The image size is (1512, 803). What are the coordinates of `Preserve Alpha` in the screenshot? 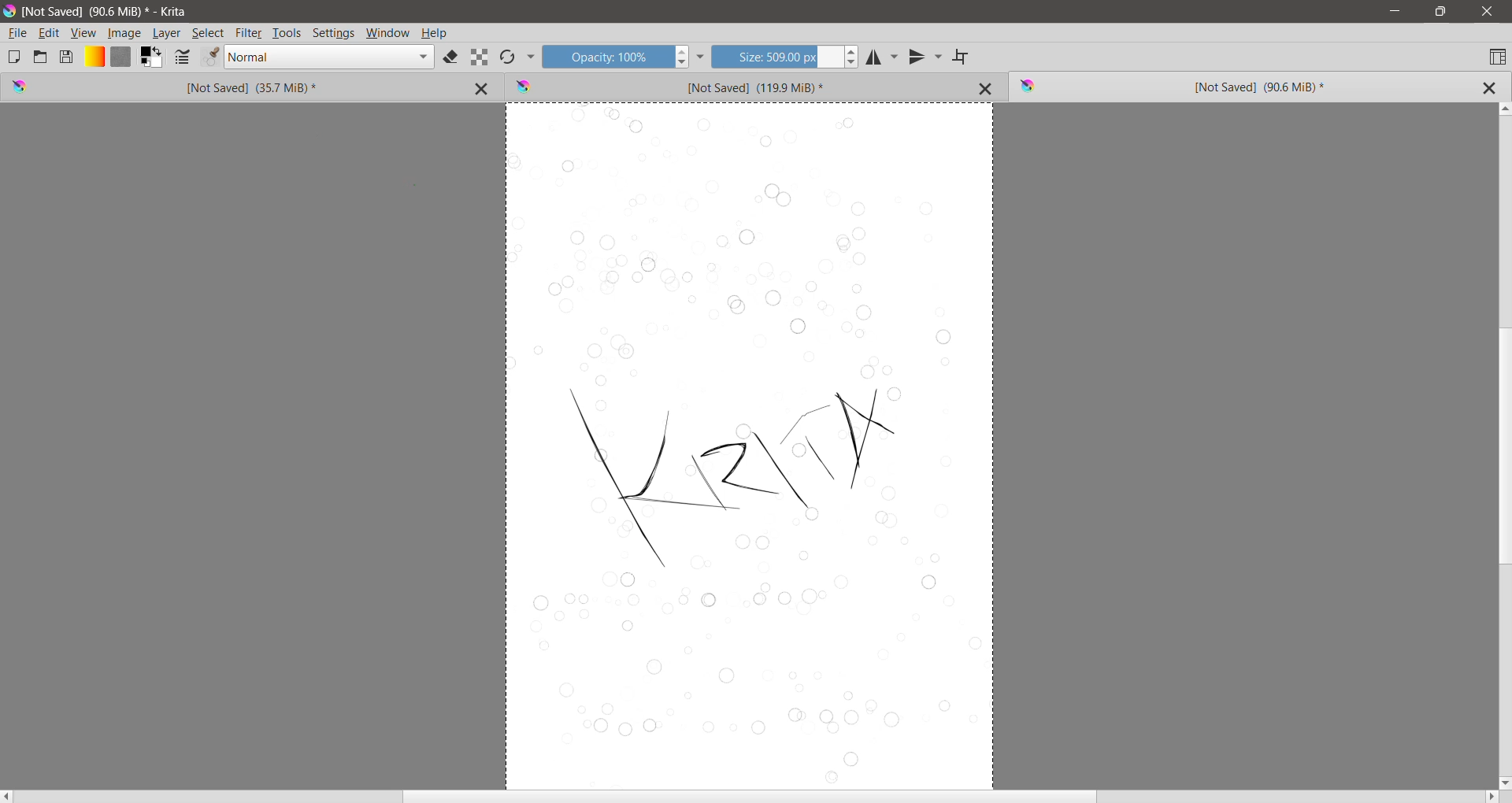 It's located at (480, 57).